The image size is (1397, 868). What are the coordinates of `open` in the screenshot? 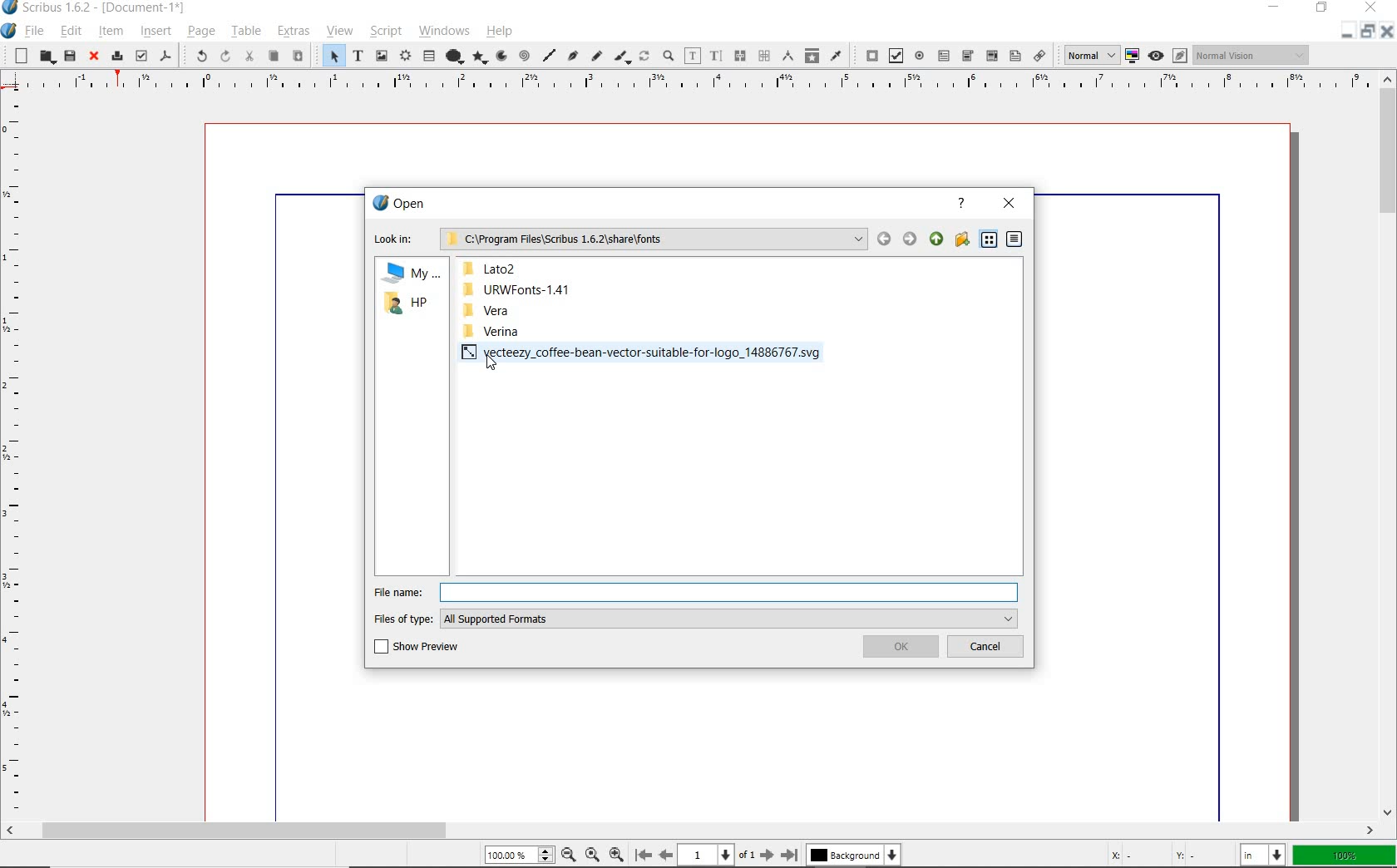 It's located at (402, 201).